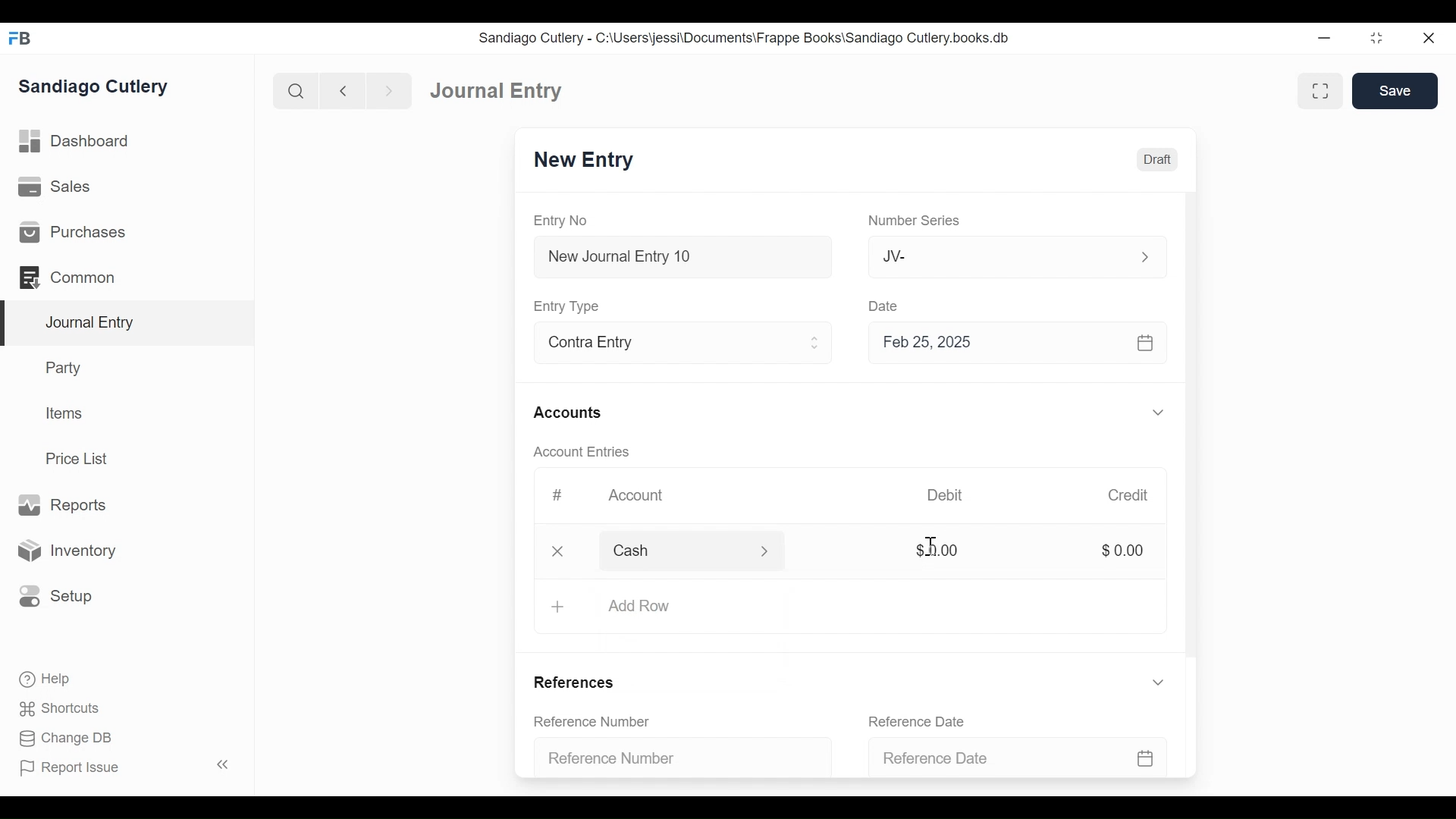 The height and width of the screenshot is (819, 1456). What do you see at coordinates (1131, 497) in the screenshot?
I see `Credit` at bounding box center [1131, 497].